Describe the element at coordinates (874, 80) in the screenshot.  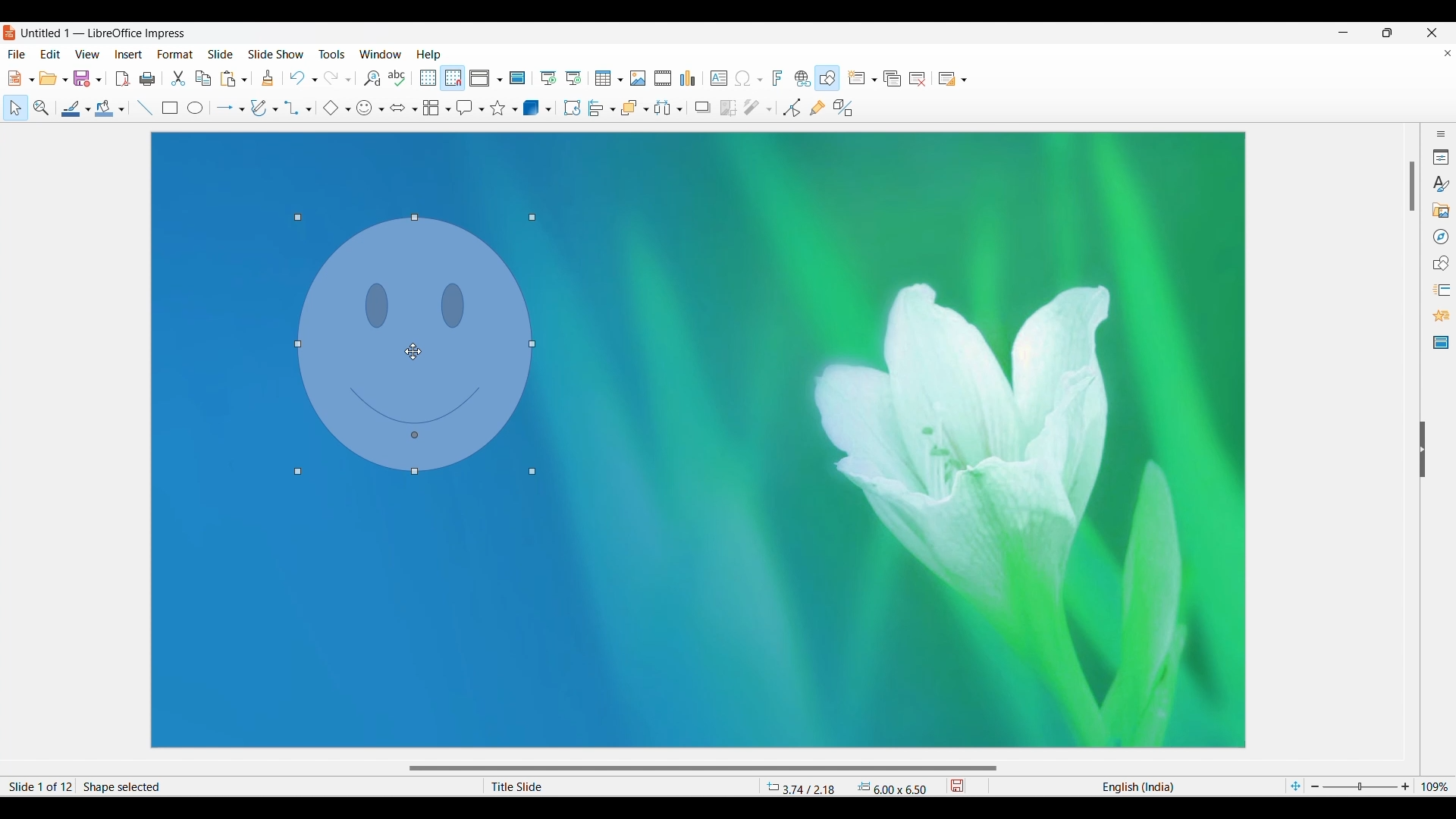
I see `New slide options` at that location.